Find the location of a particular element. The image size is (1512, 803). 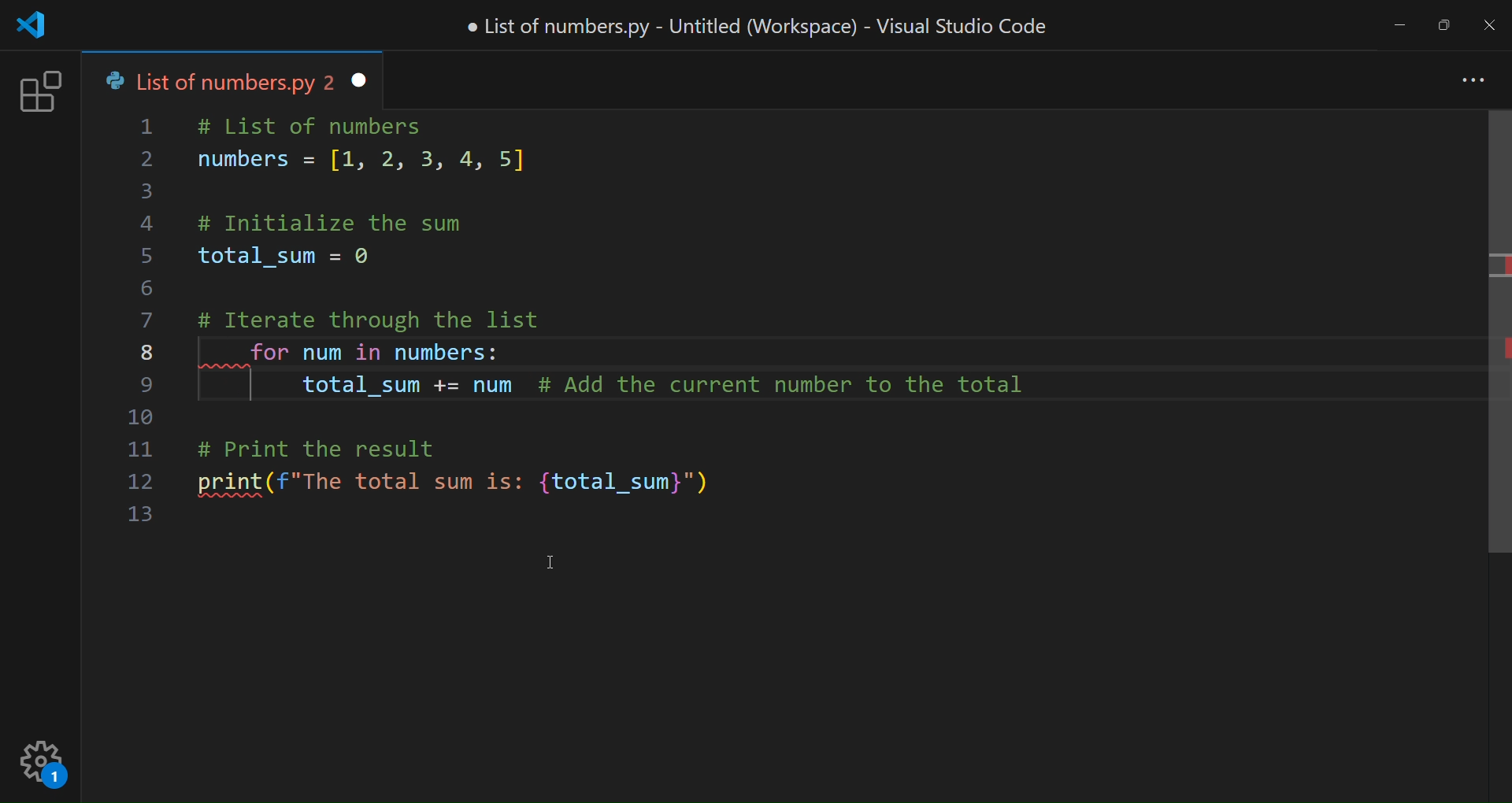

logo is located at coordinates (37, 28).